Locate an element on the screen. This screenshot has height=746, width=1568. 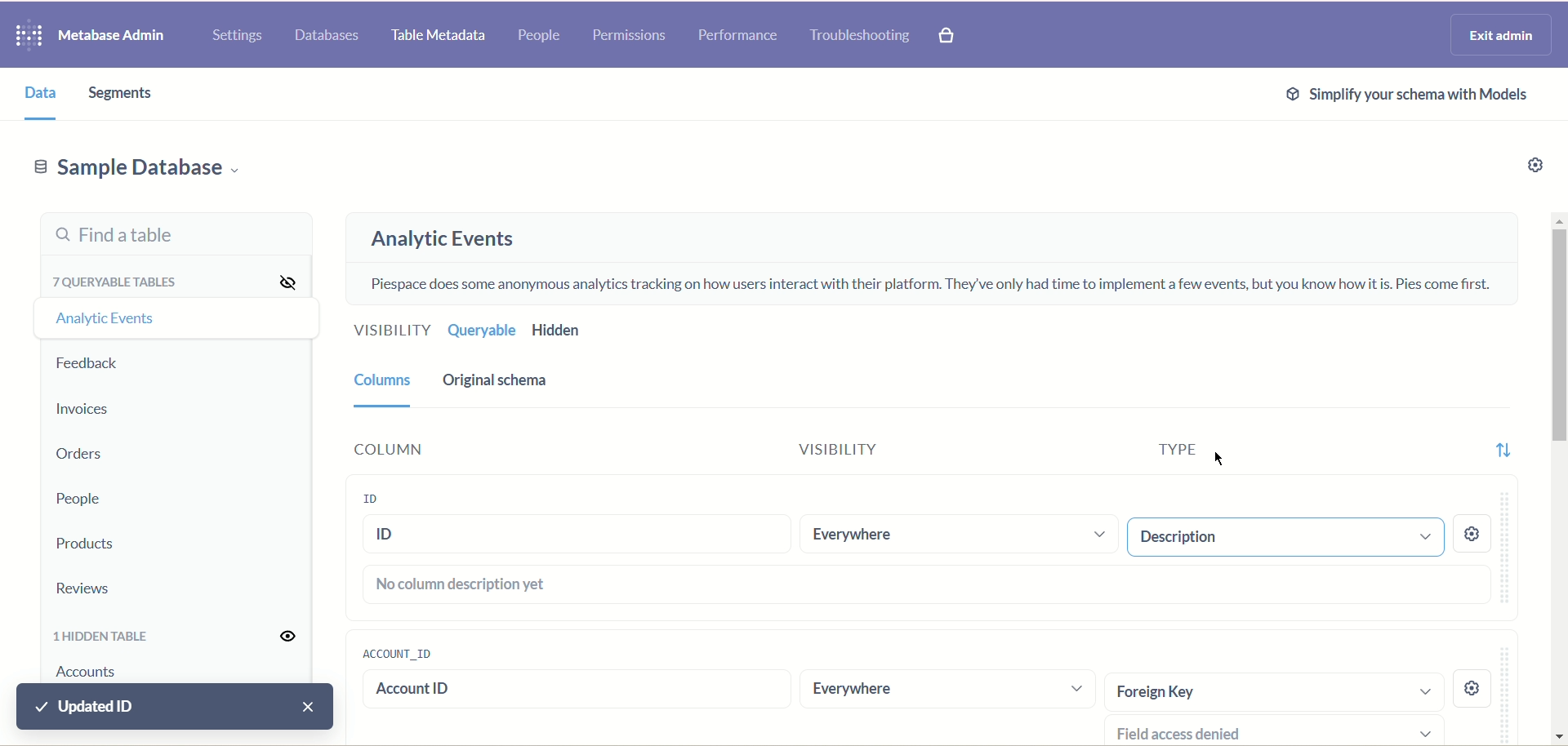
invoices is located at coordinates (82, 409).